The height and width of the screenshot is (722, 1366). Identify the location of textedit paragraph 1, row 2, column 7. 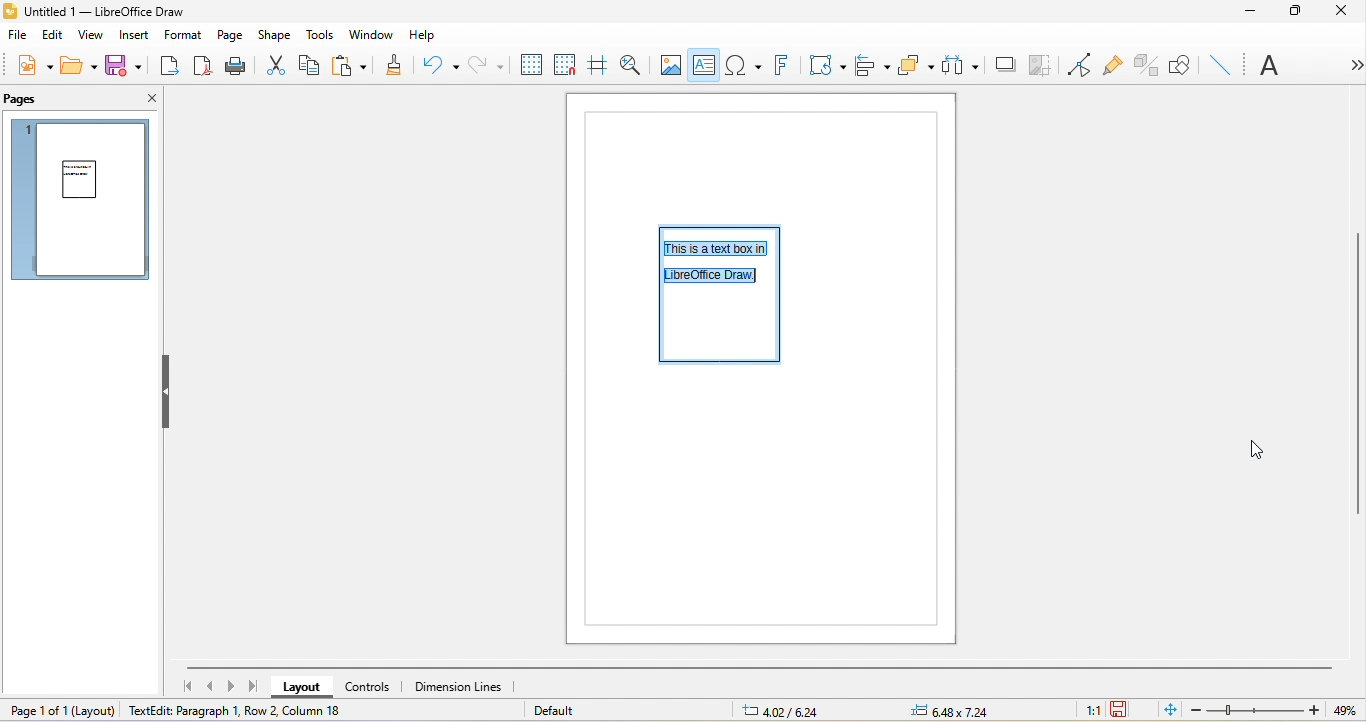
(239, 710).